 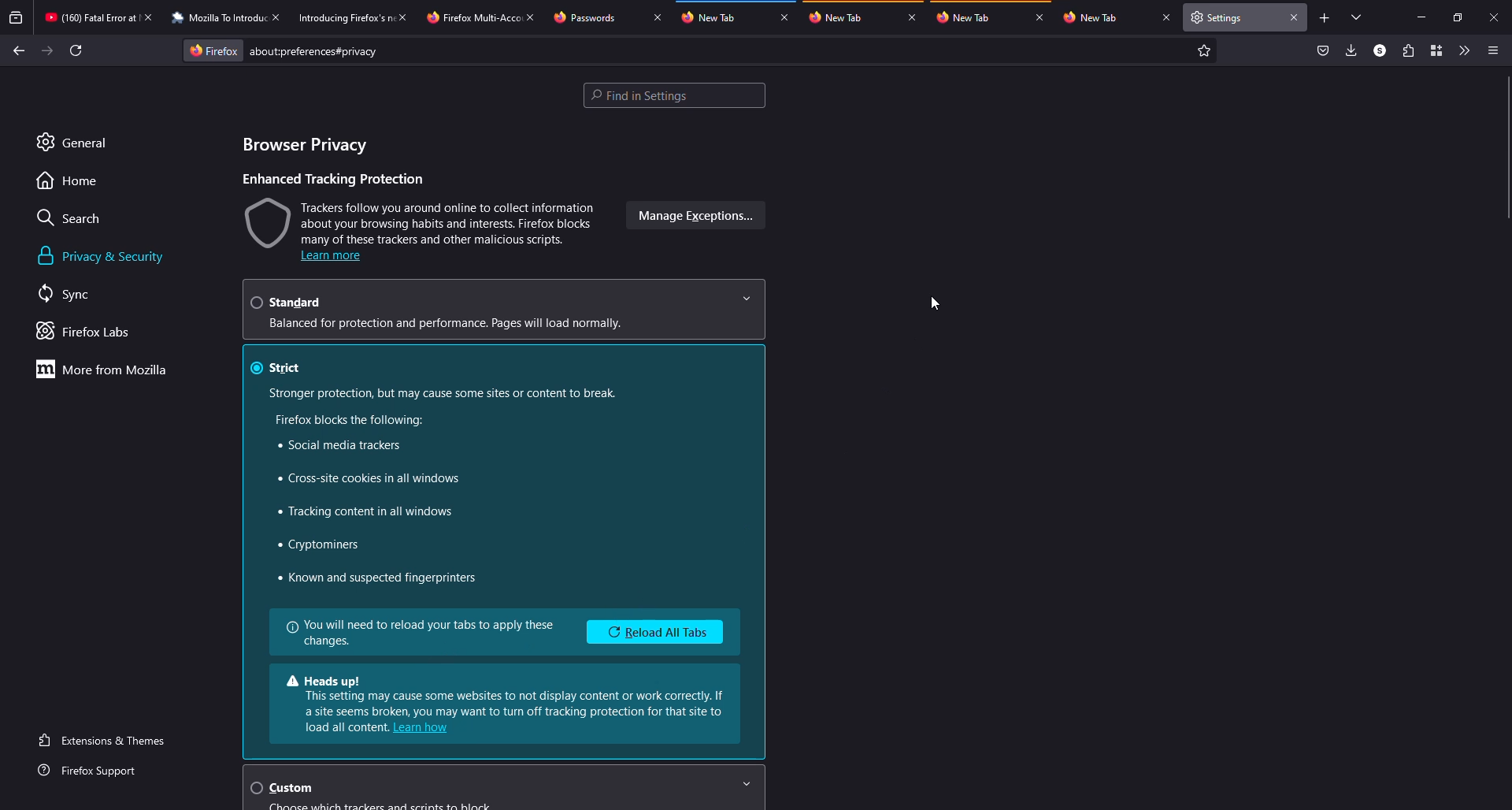 What do you see at coordinates (1324, 49) in the screenshot?
I see `save to pocket` at bounding box center [1324, 49].